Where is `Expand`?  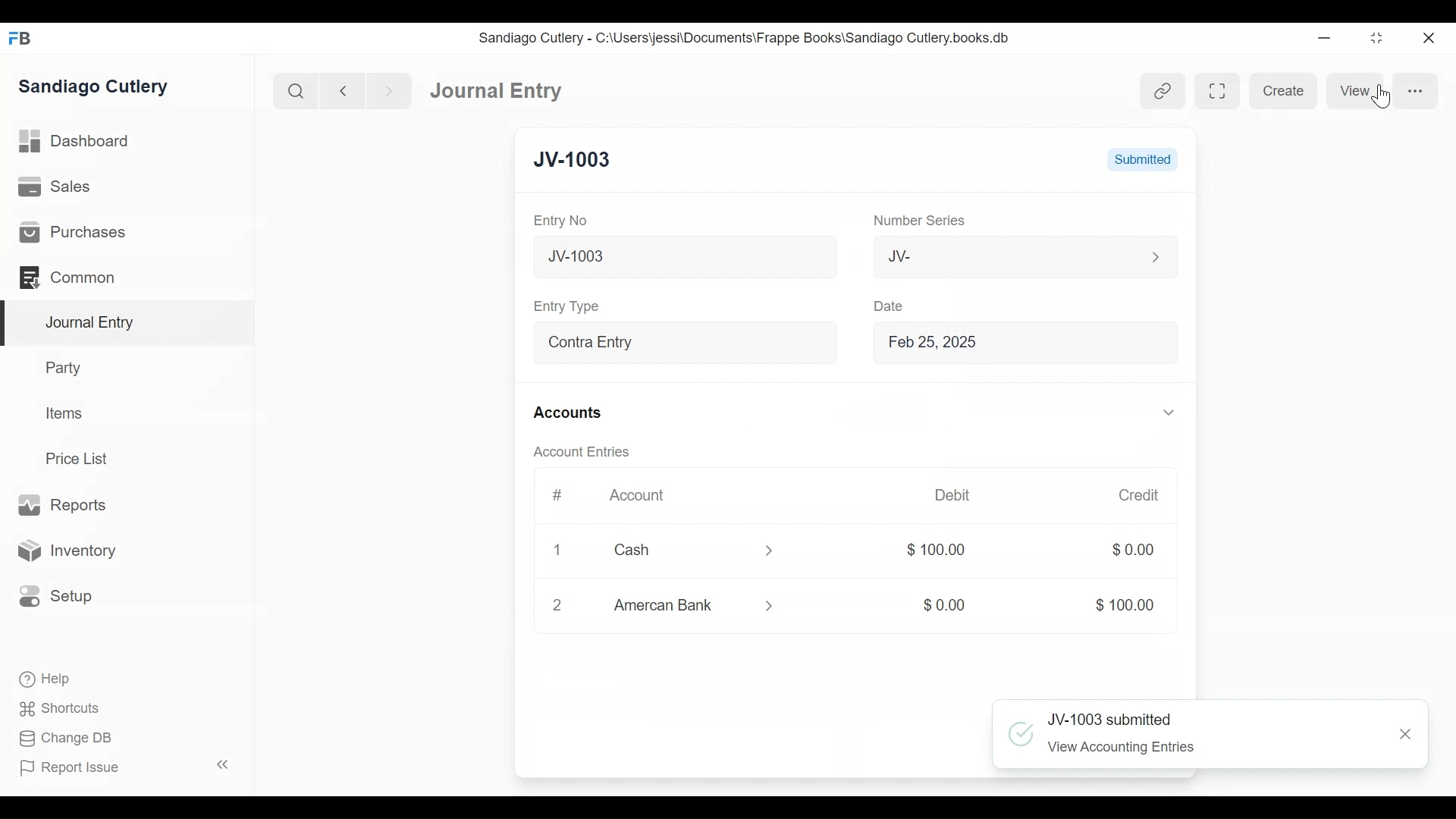 Expand is located at coordinates (765, 550).